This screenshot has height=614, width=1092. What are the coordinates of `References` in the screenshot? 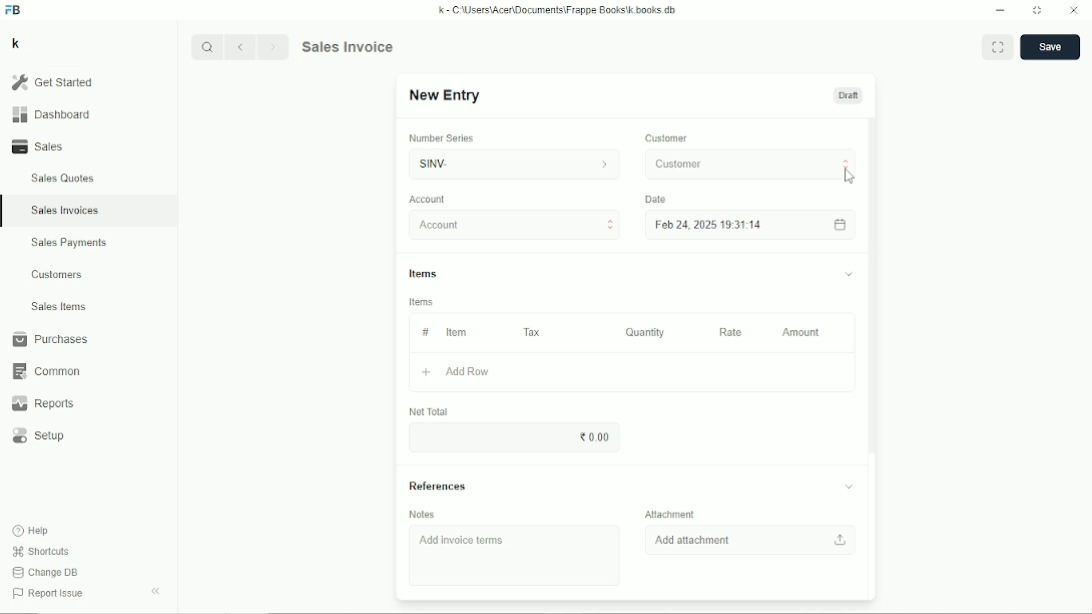 It's located at (633, 486).